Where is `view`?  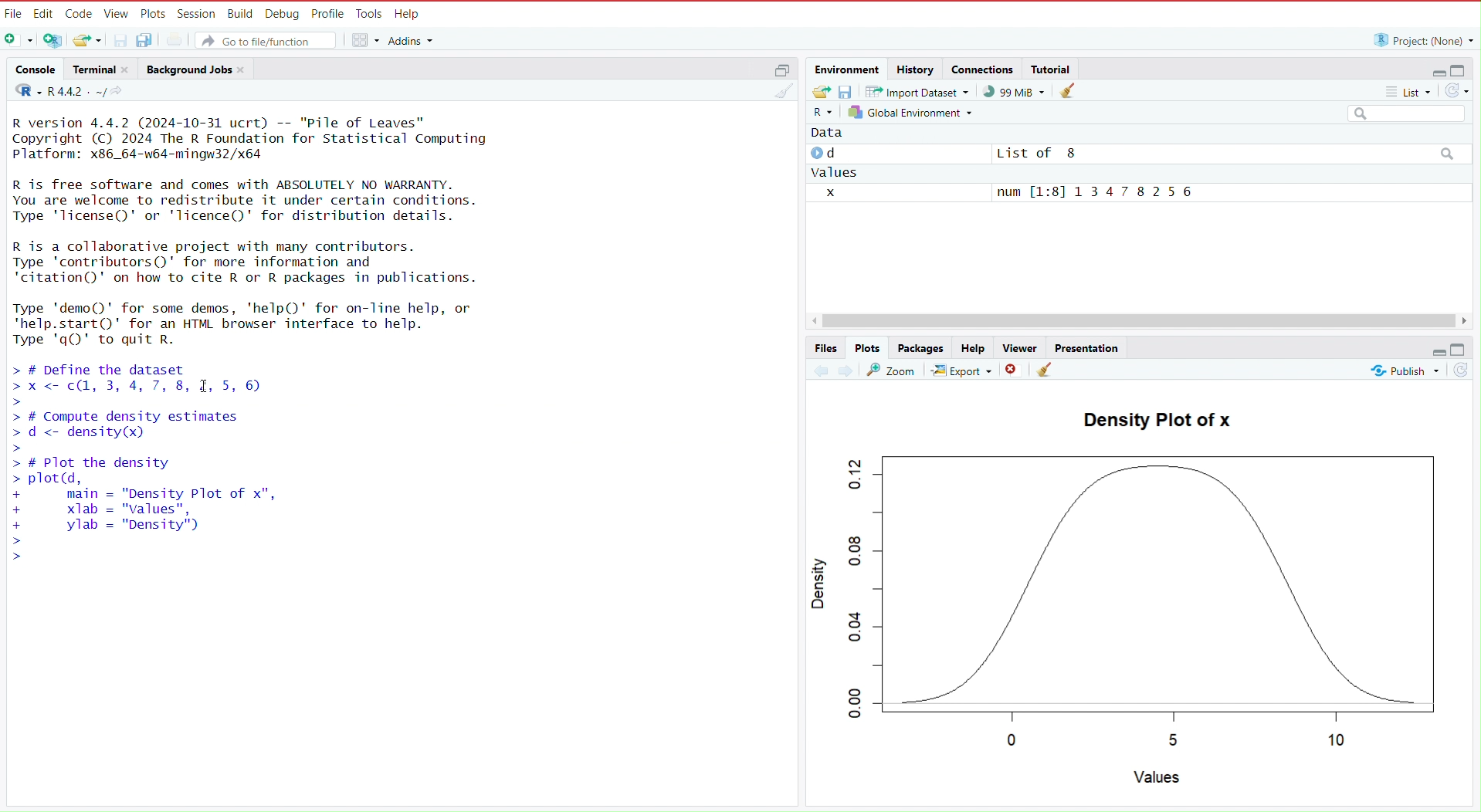 view is located at coordinates (117, 12).